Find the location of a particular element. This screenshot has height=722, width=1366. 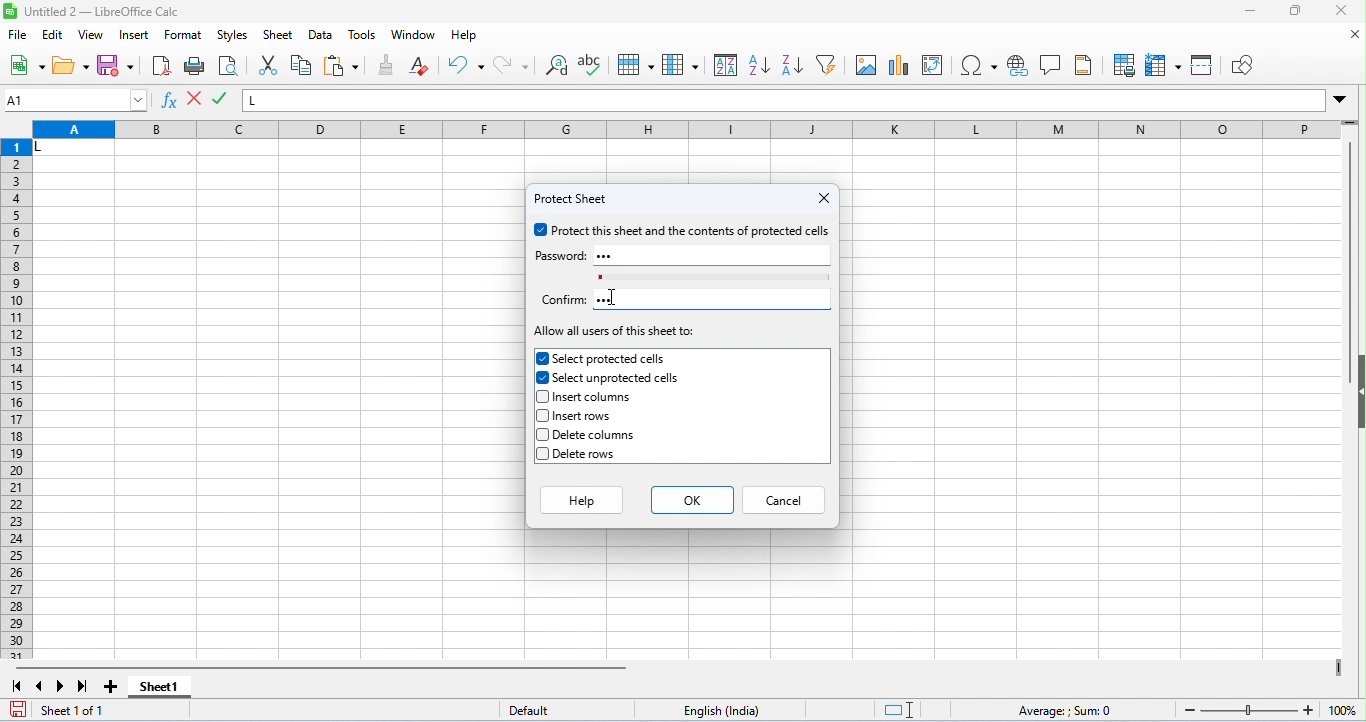

insert hyperlink is located at coordinates (1019, 66).